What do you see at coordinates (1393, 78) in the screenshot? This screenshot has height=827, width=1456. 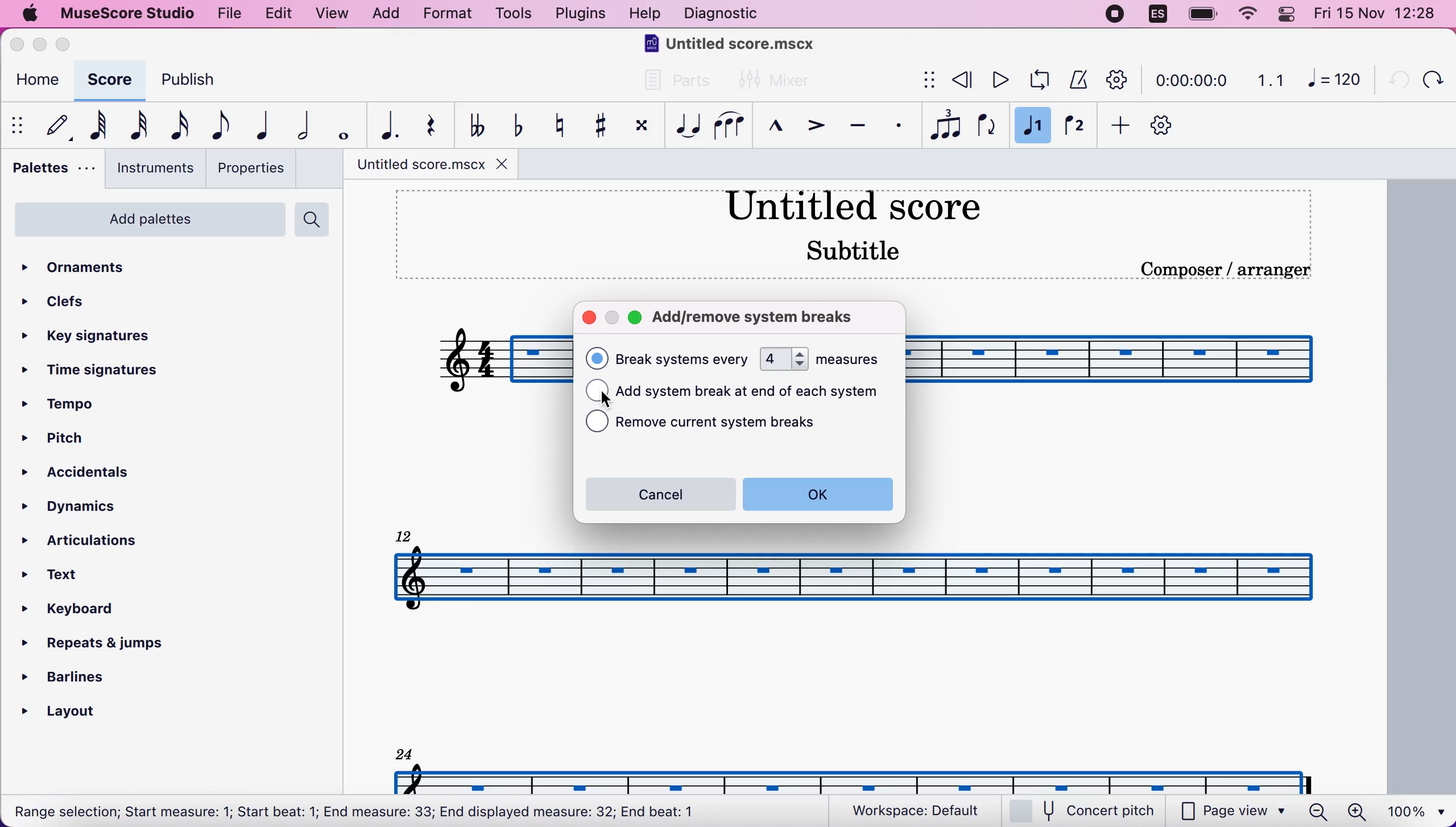 I see `undo` at bounding box center [1393, 78].